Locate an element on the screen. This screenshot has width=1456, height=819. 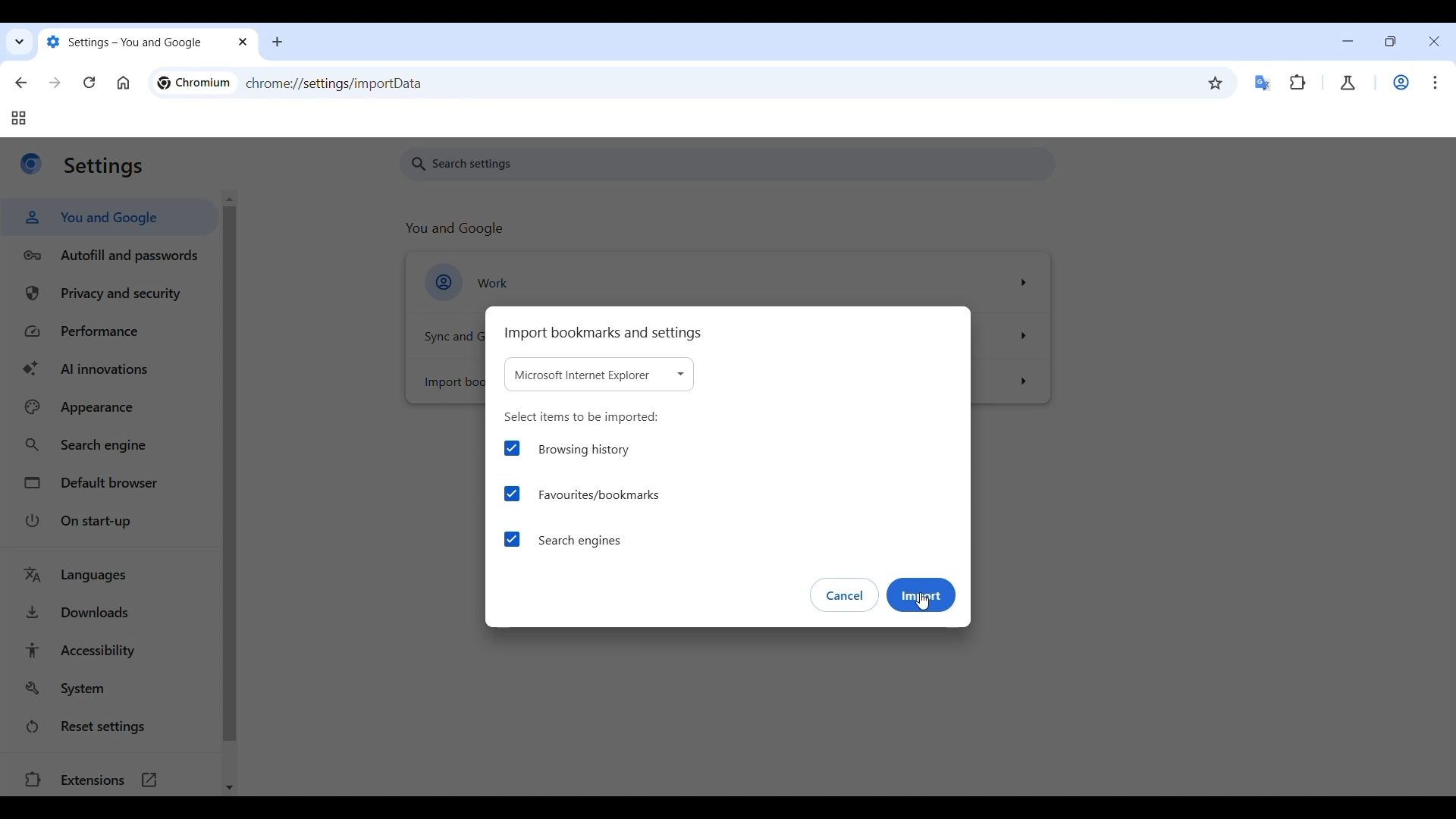
Search tabs is located at coordinates (20, 42).